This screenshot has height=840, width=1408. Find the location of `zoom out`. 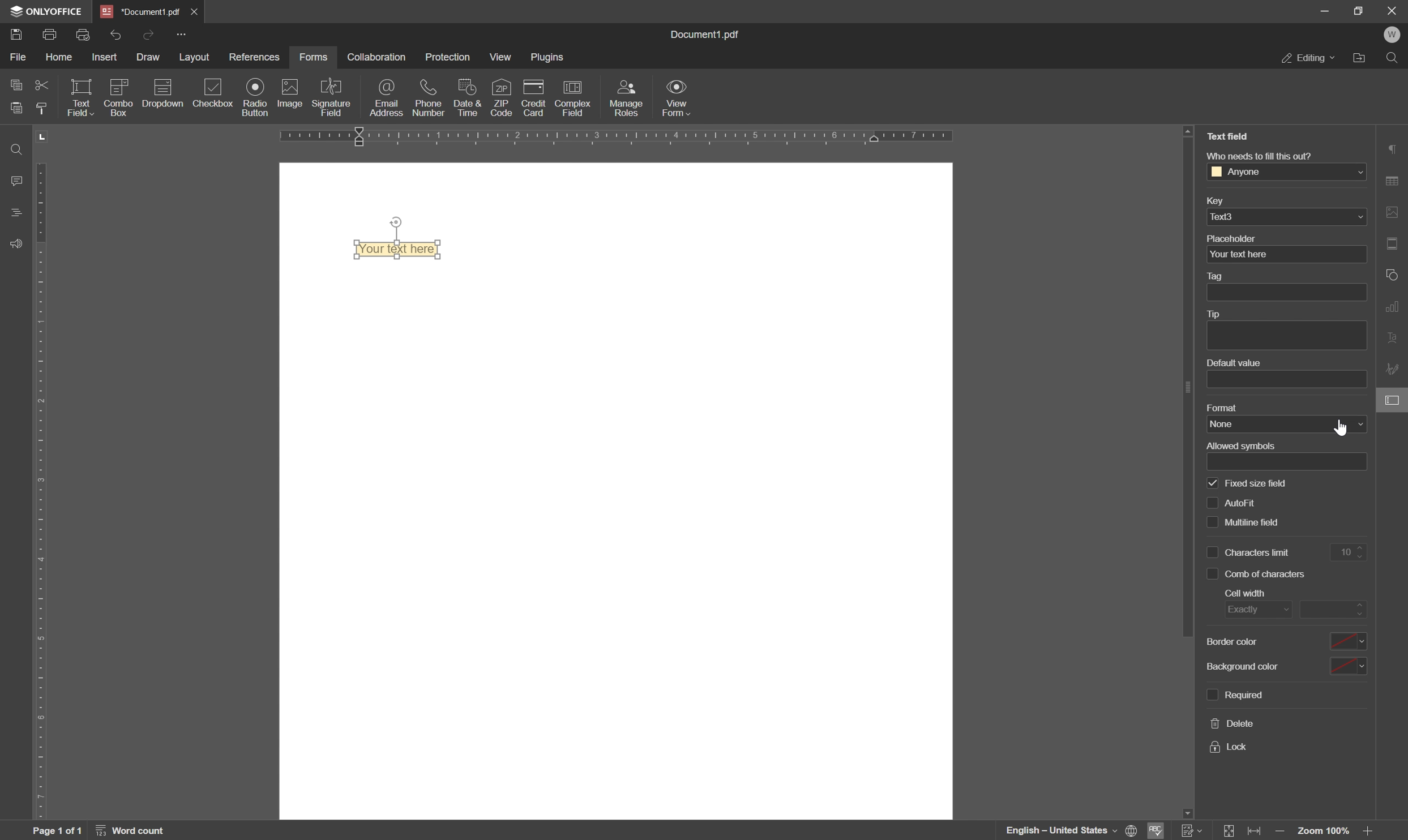

zoom out is located at coordinates (1281, 832).